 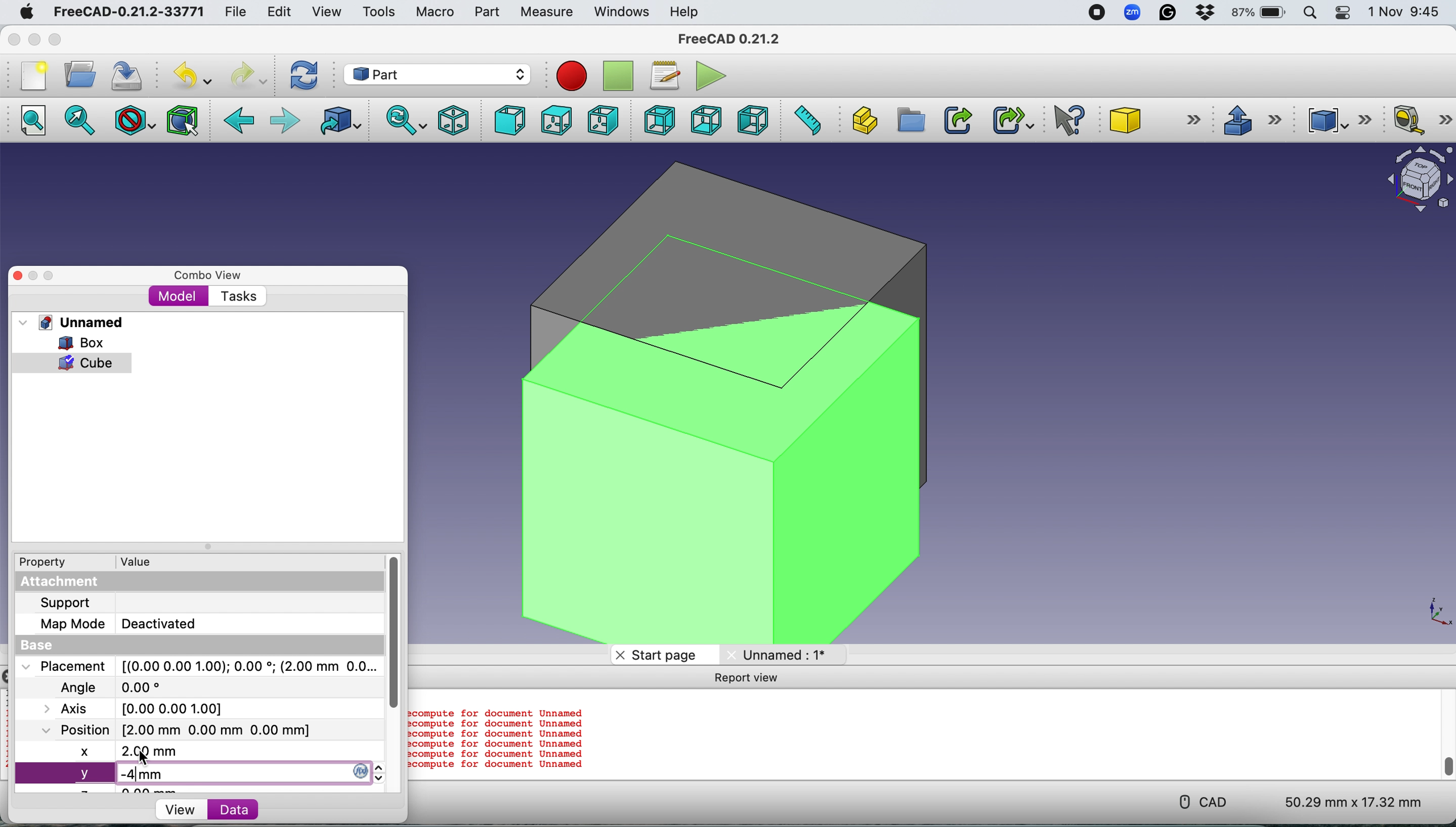 What do you see at coordinates (1095, 13) in the screenshot?
I see `screen recorder` at bounding box center [1095, 13].